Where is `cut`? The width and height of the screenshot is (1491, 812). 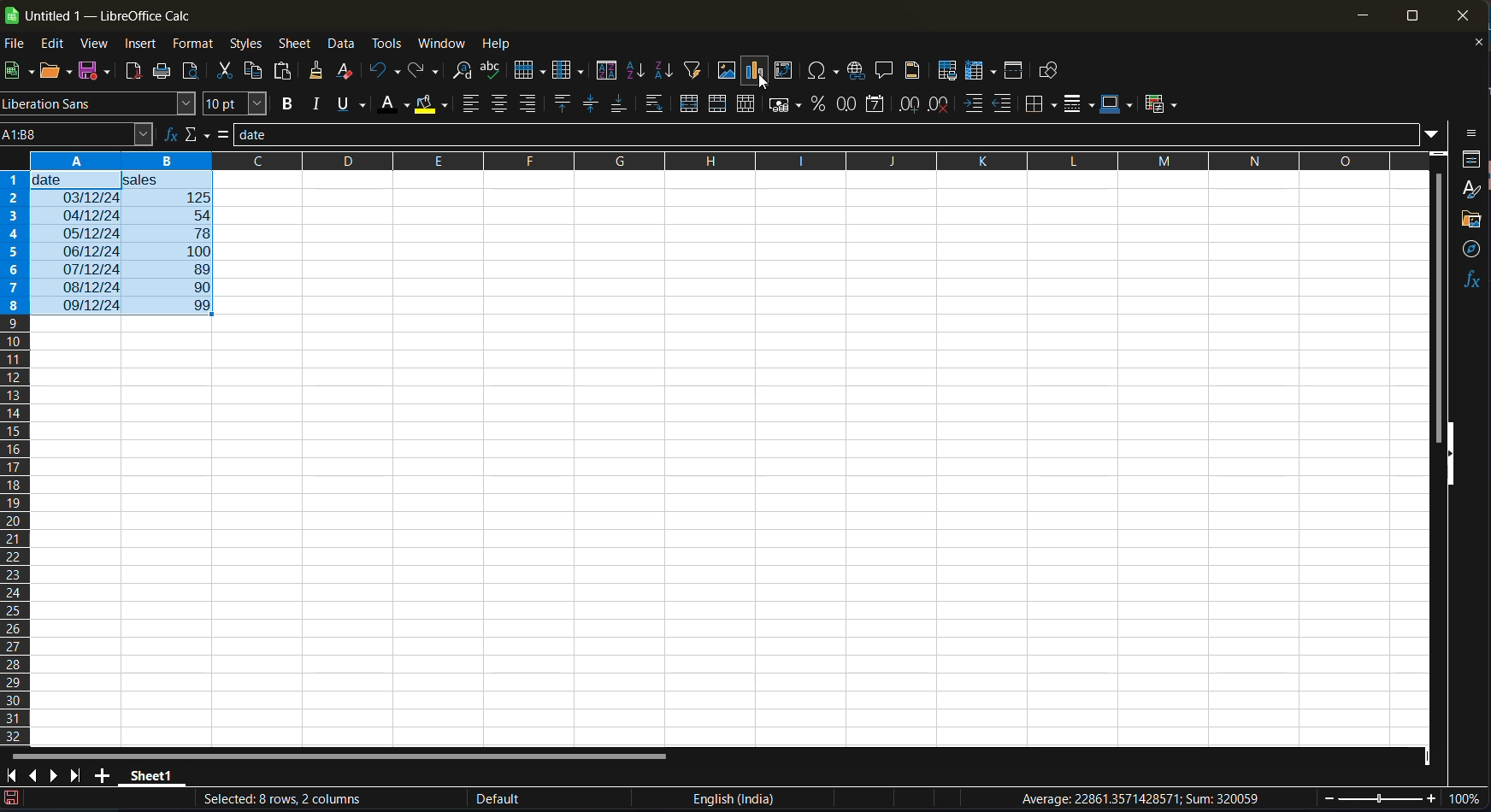 cut is located at coordinates (227, 70).